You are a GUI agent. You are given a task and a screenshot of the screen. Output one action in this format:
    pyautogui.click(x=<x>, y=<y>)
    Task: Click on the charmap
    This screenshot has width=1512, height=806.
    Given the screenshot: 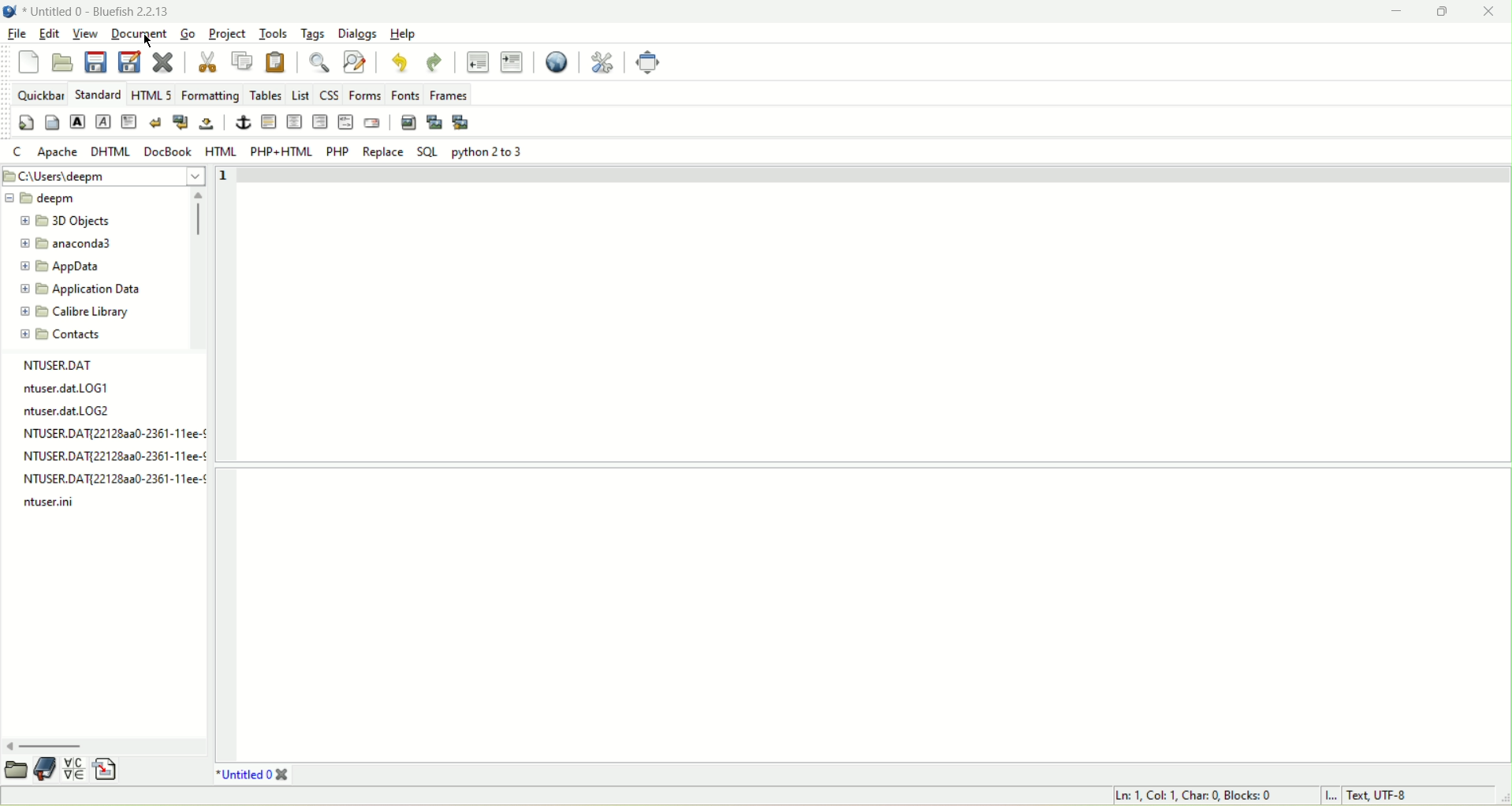 What is the action you would take?
    pyautogui.click(x=77, y=771)
    